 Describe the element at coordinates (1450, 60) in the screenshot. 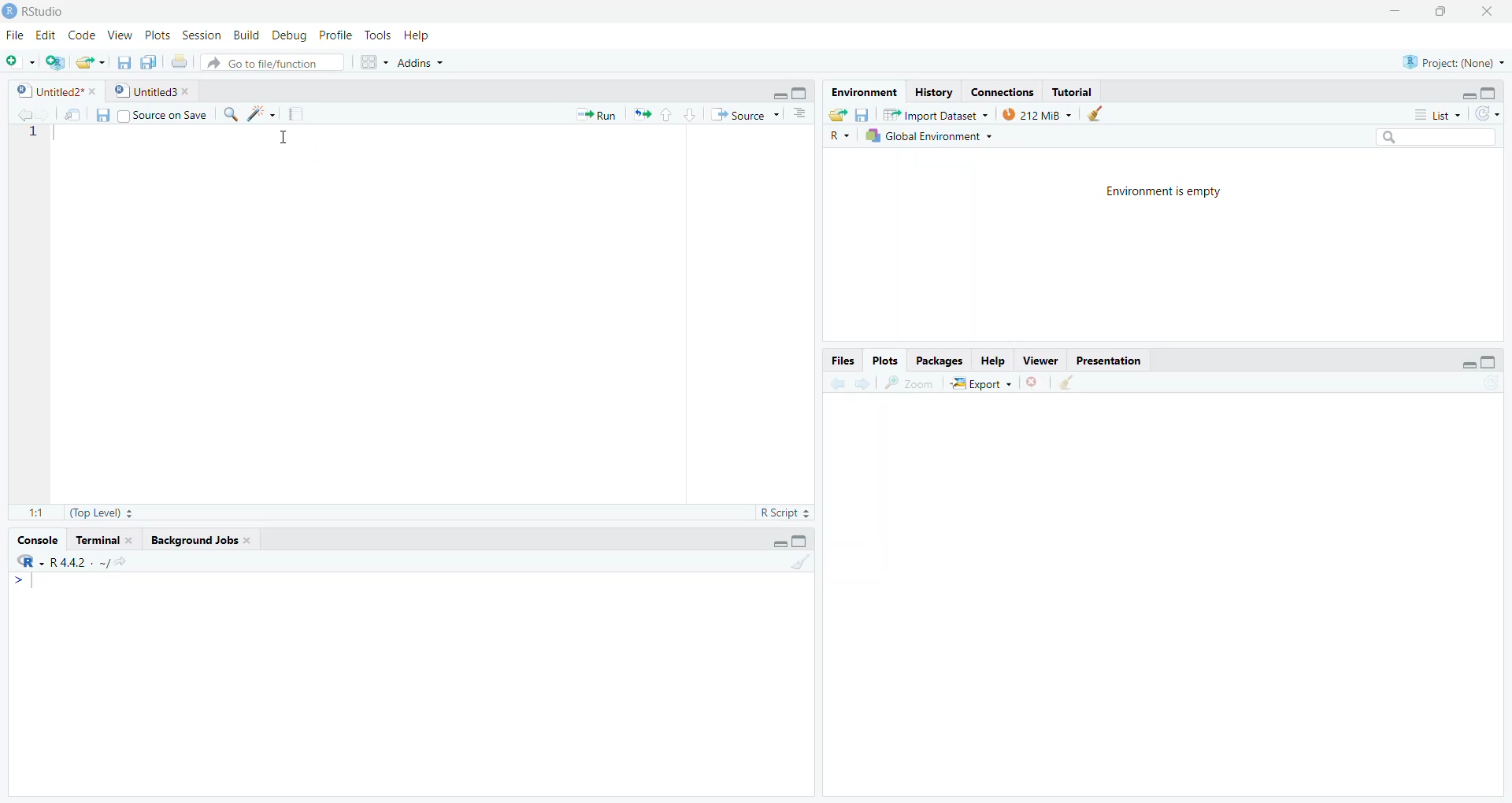

I see `project none` at that location.